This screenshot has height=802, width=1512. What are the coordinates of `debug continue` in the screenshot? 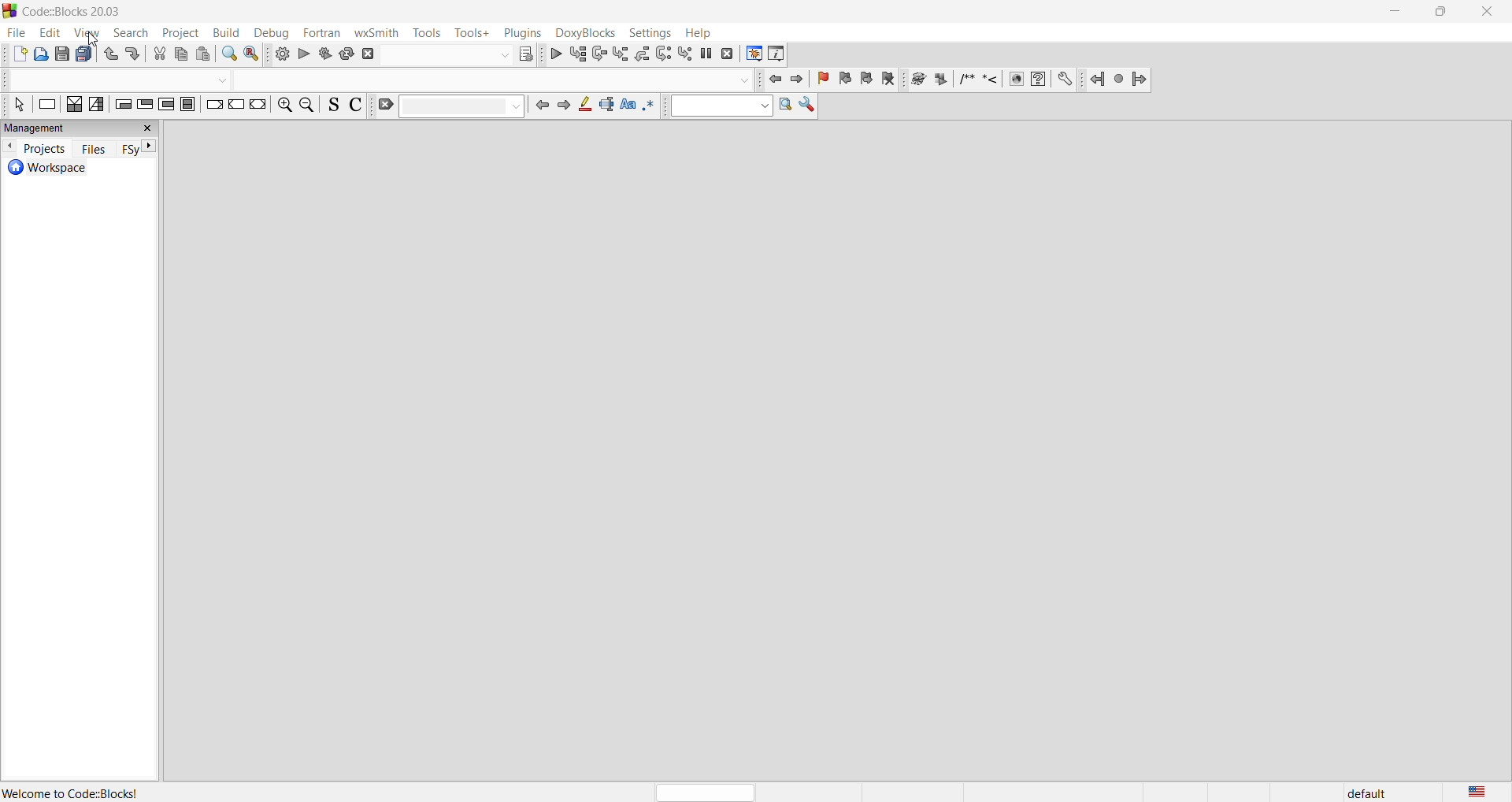 It's located at (554, 54).